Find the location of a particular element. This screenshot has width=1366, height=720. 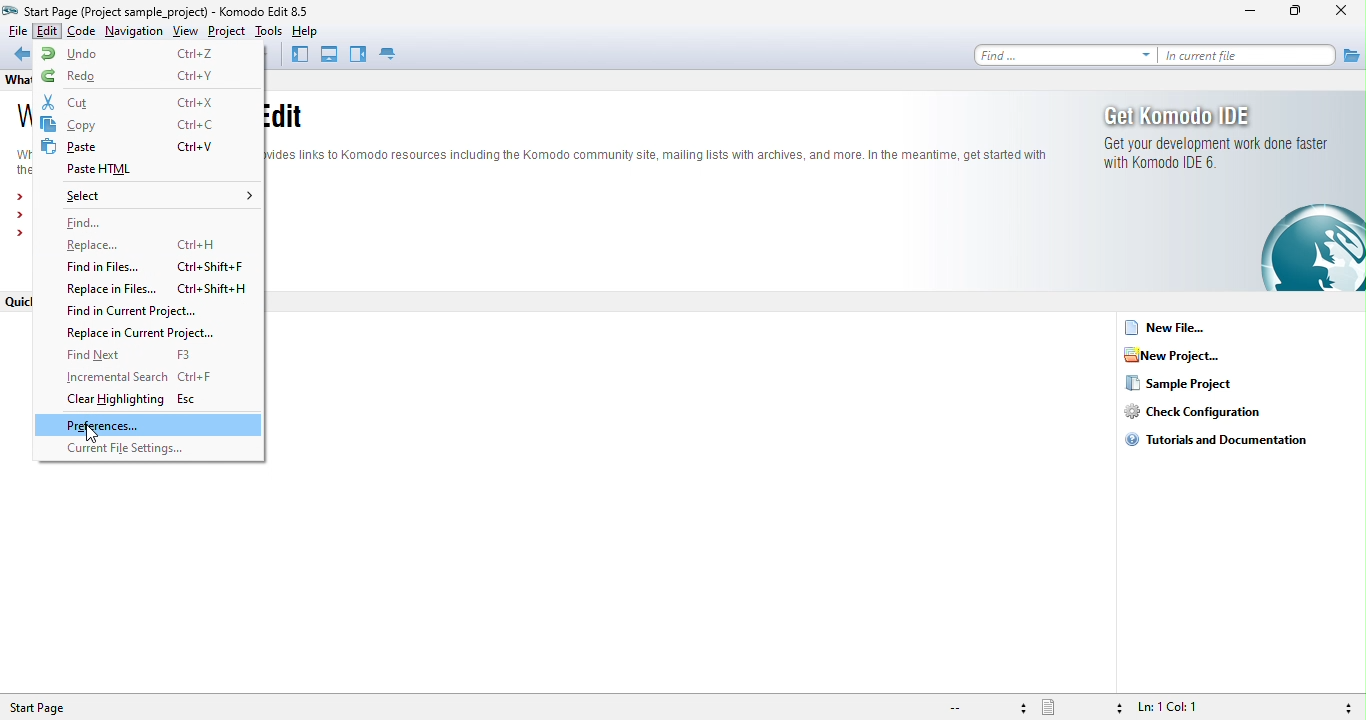

clear highlighting is located at coordinates (152, 400).